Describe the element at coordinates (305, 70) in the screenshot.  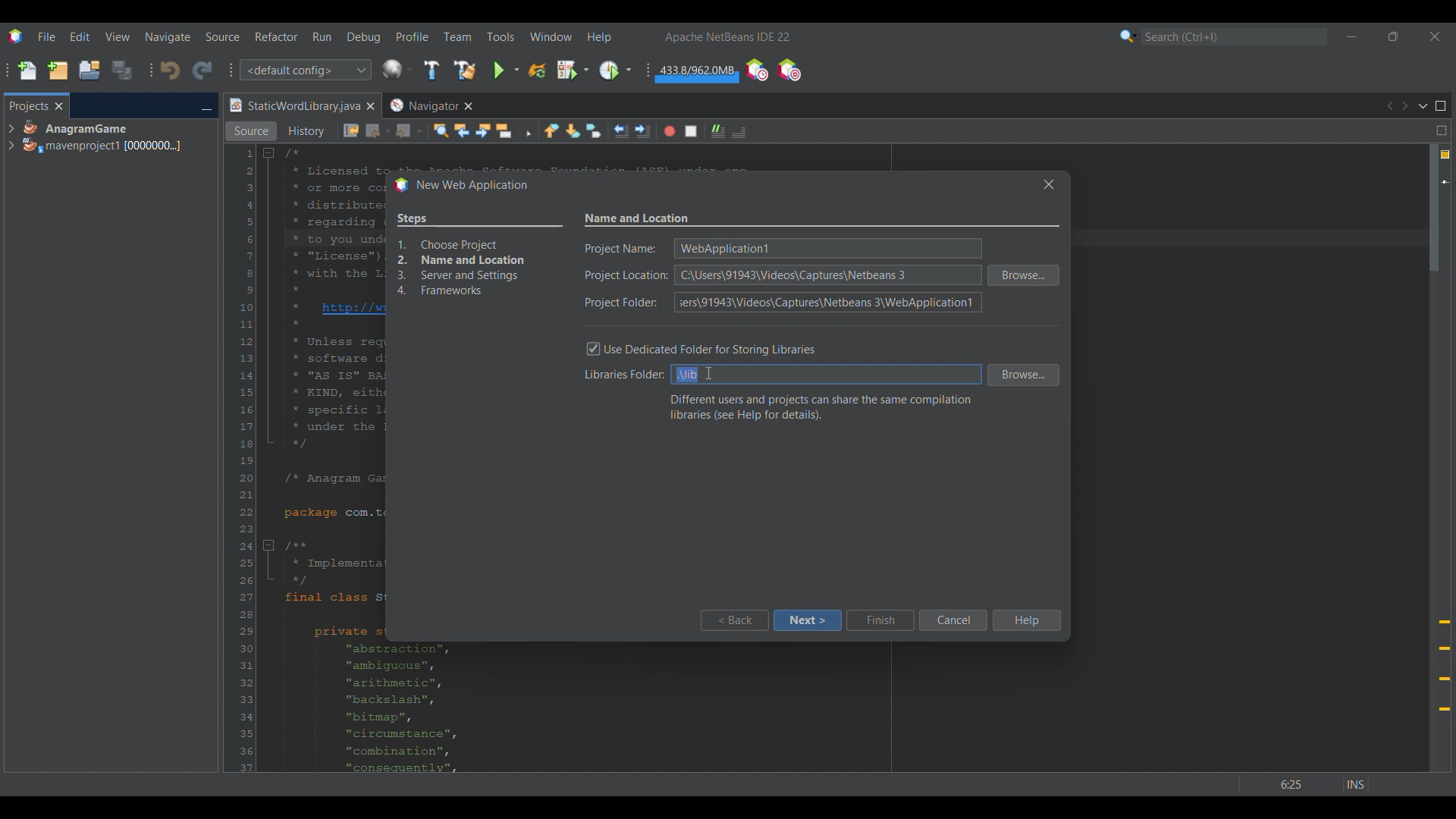
I see `Configuration options` at that location.